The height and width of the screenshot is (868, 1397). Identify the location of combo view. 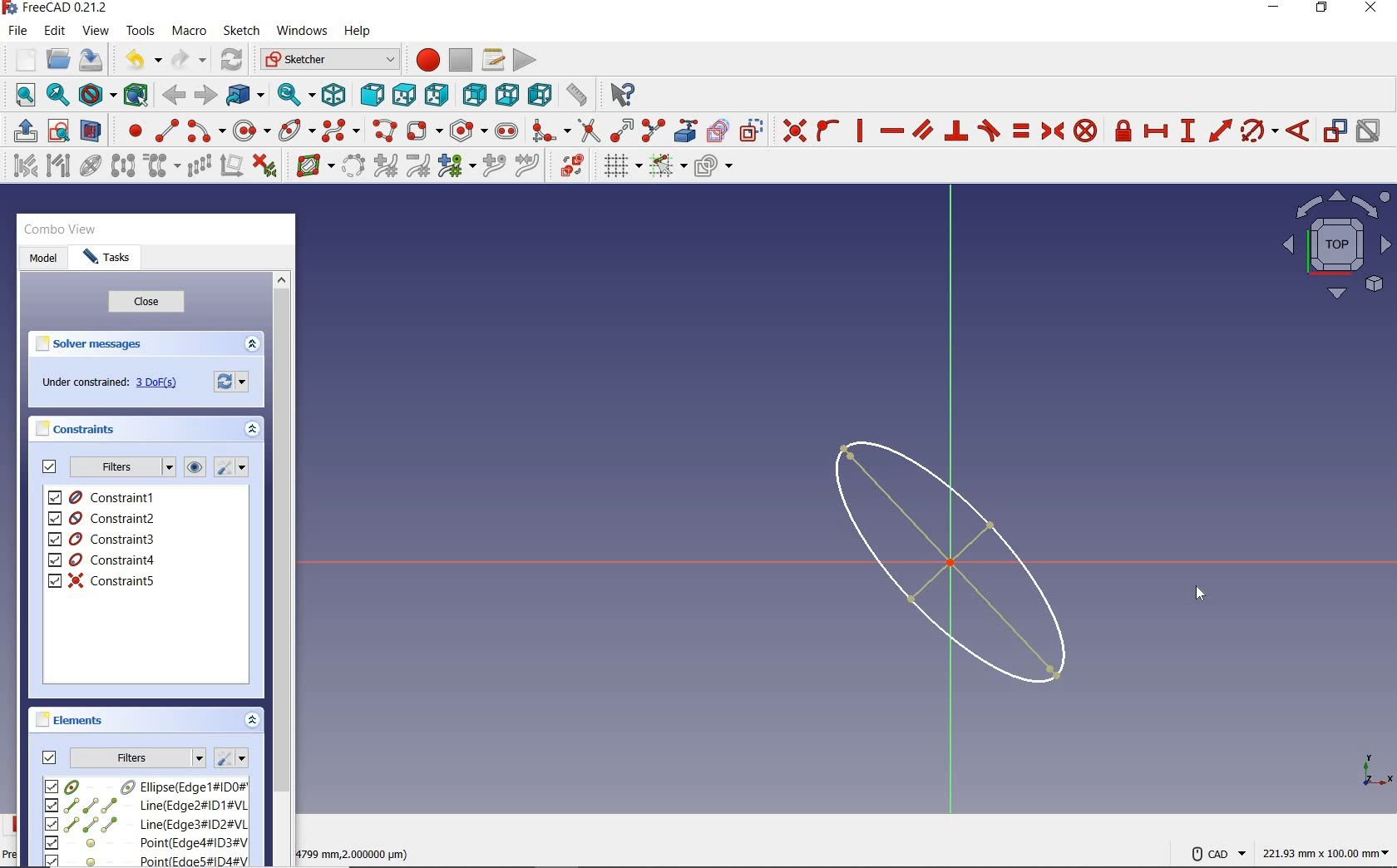
(61, 229).